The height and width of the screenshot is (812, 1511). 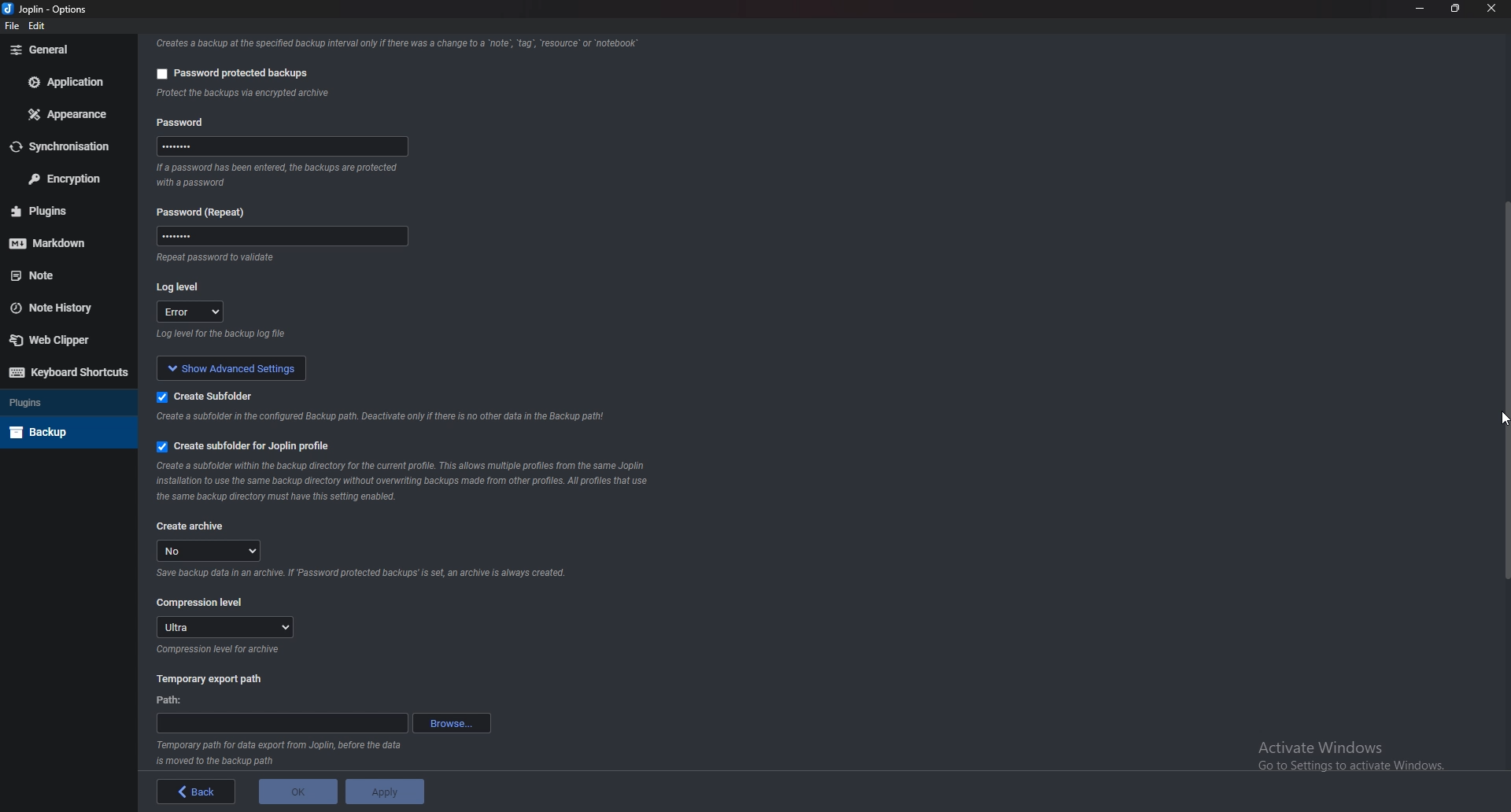 What do you see at coordinates (1491, 423) in the screenshot?
I see `Cursor` at bounding box center [1491, 423].